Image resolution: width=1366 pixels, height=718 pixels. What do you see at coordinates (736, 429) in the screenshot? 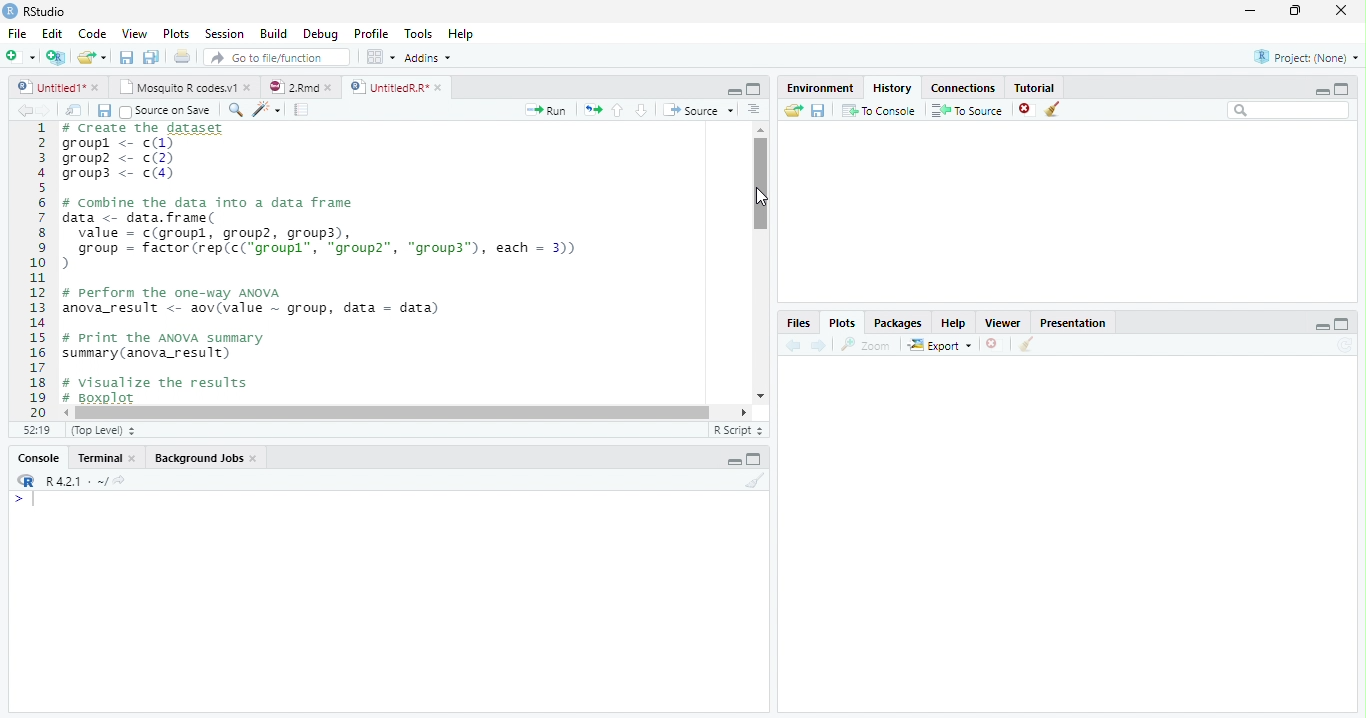
I see `R script` at bounding box center [736, 429].